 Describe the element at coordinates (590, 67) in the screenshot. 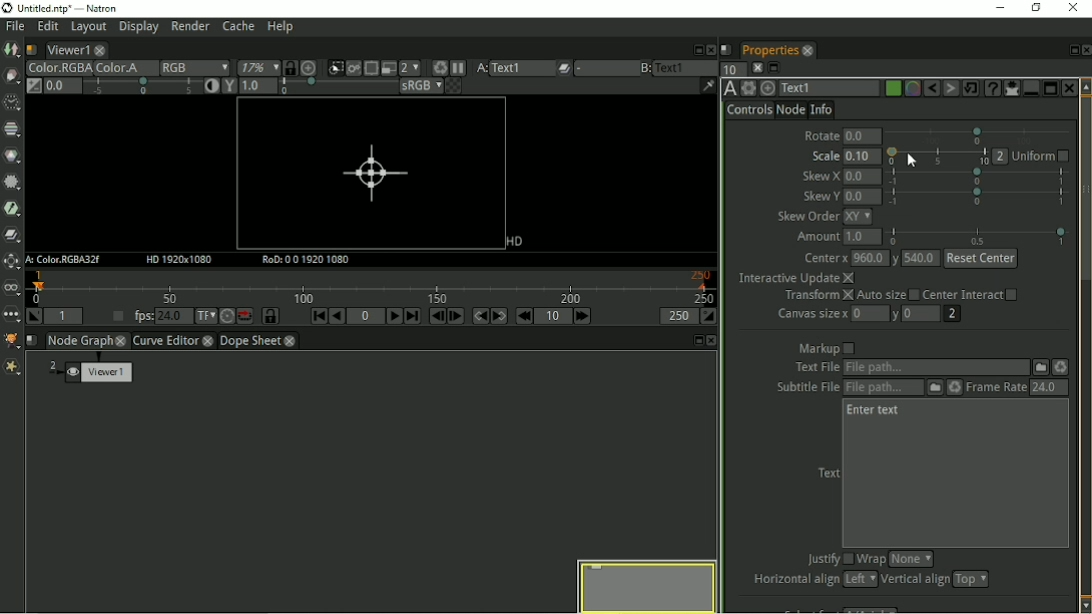

I see `Operations applied between viewer inputs A and B` at that location.